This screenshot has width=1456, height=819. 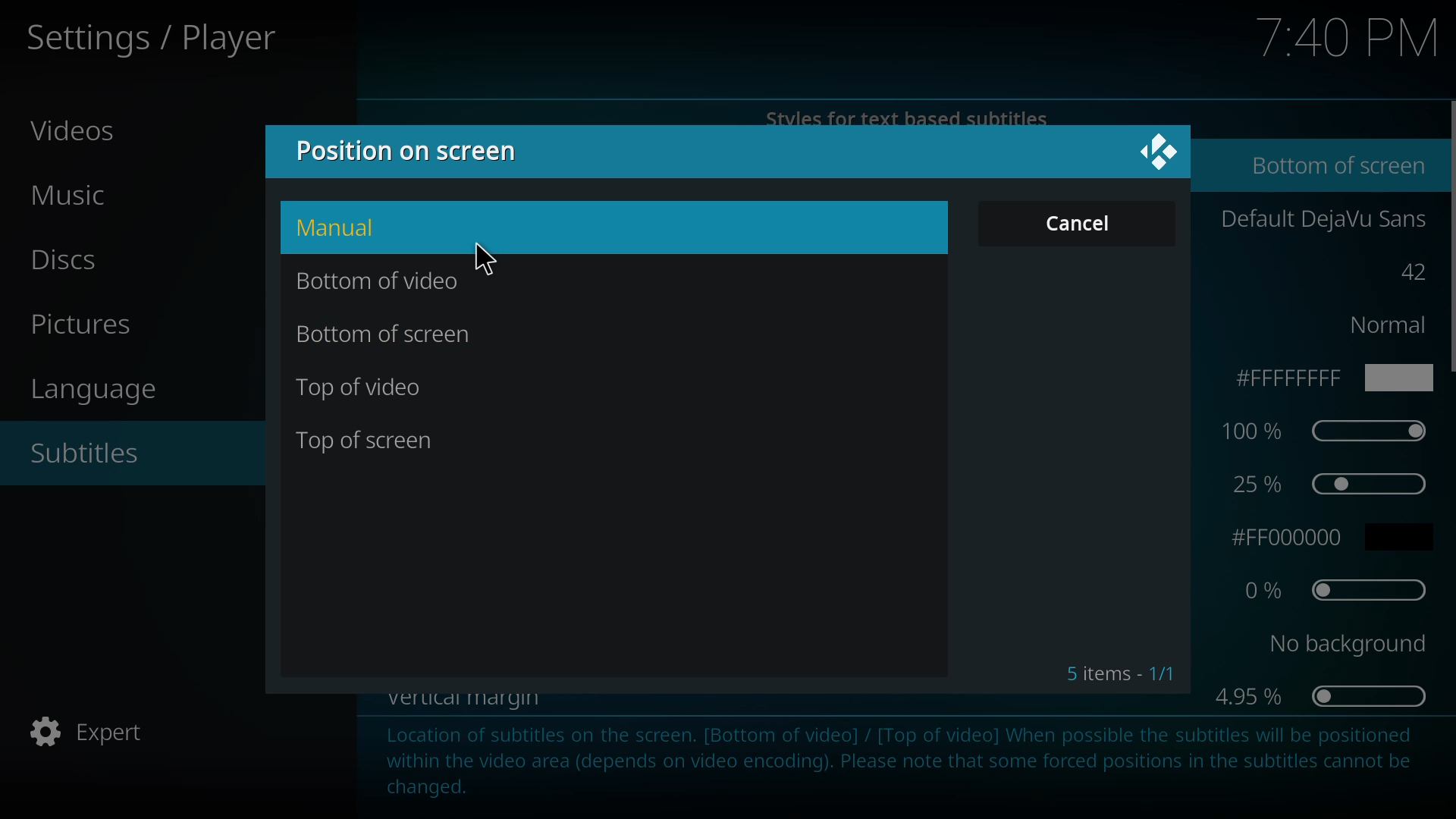 I want to click on default, so click(x=1323, y=215).